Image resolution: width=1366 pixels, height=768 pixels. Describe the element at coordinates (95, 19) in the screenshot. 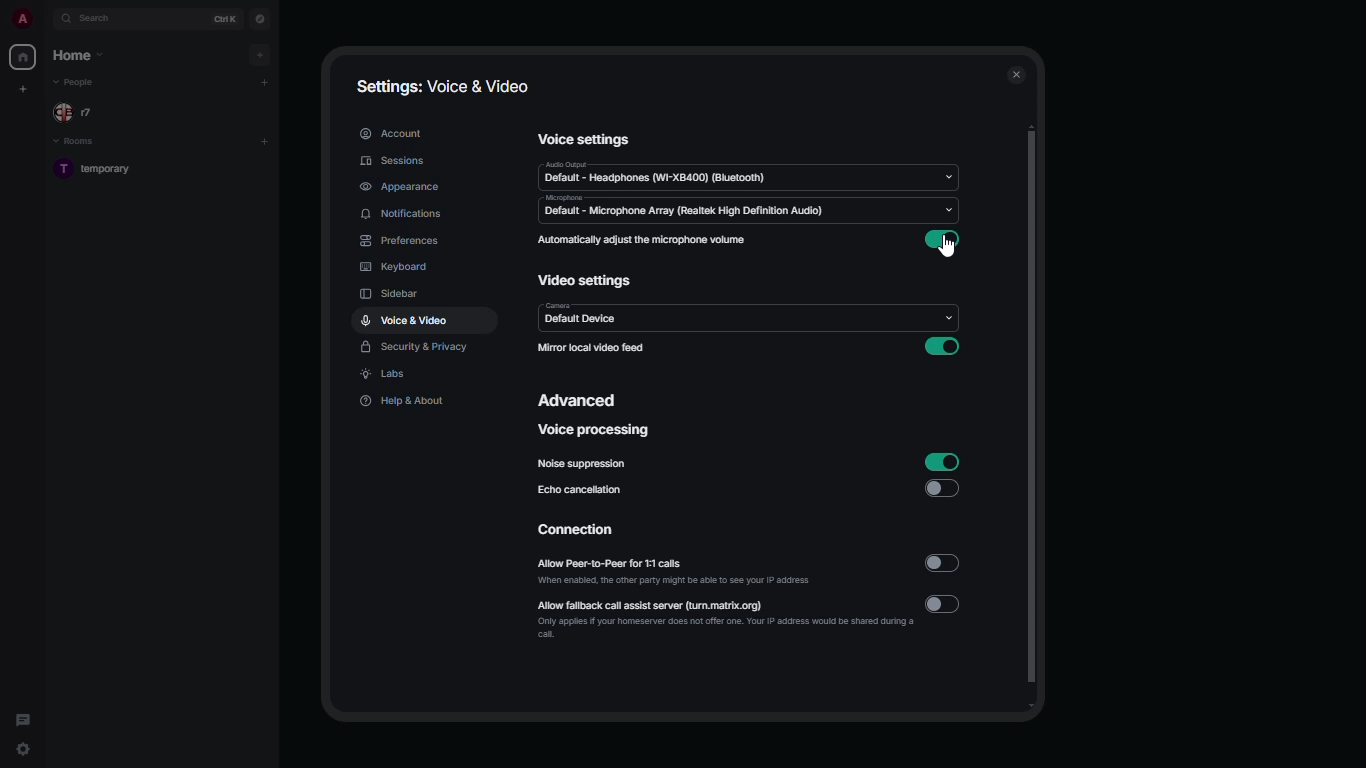

I see `search` at that location.